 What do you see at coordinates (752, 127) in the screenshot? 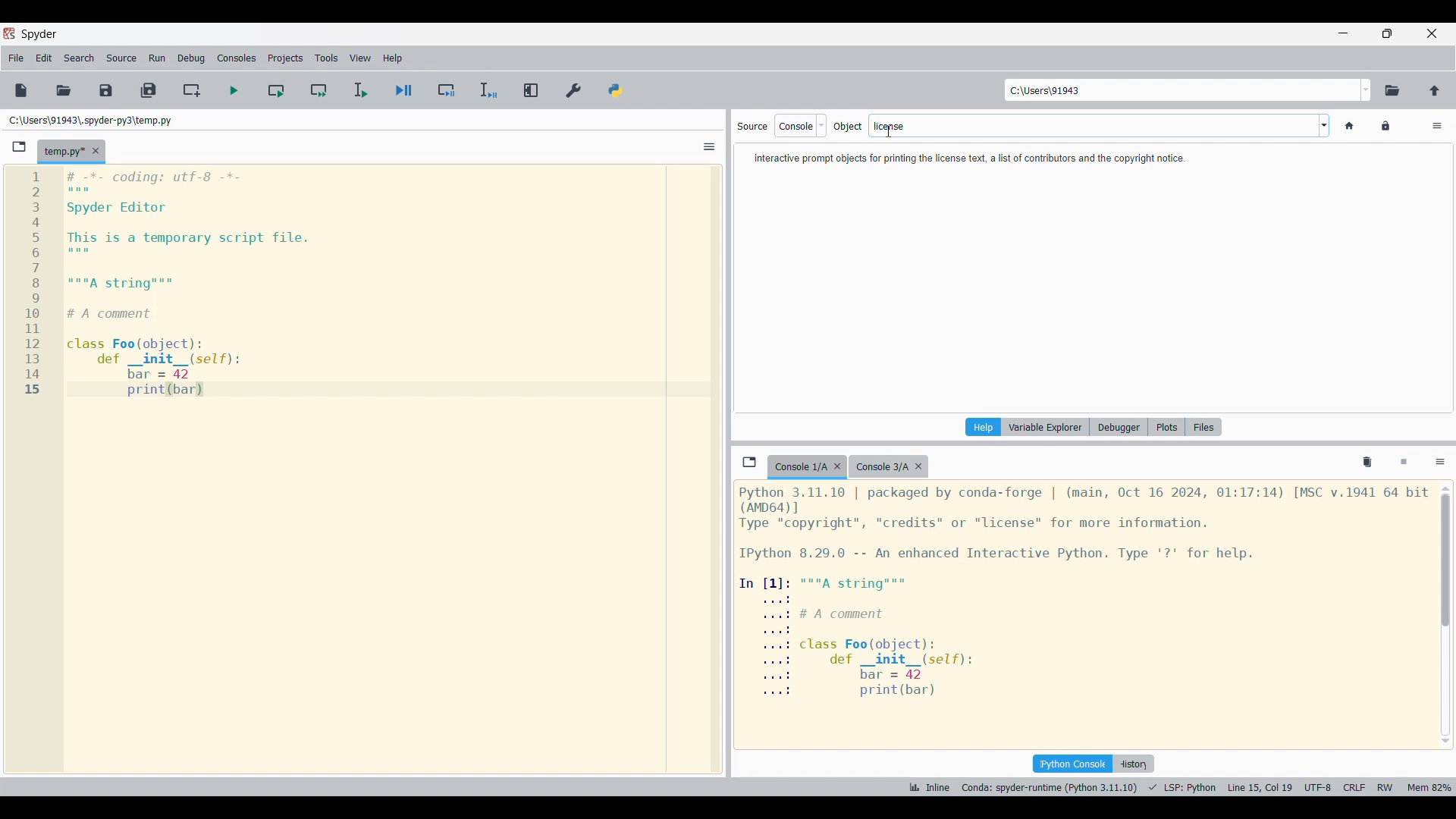
I see `Indicates source options` at bounding box center [752, 127].